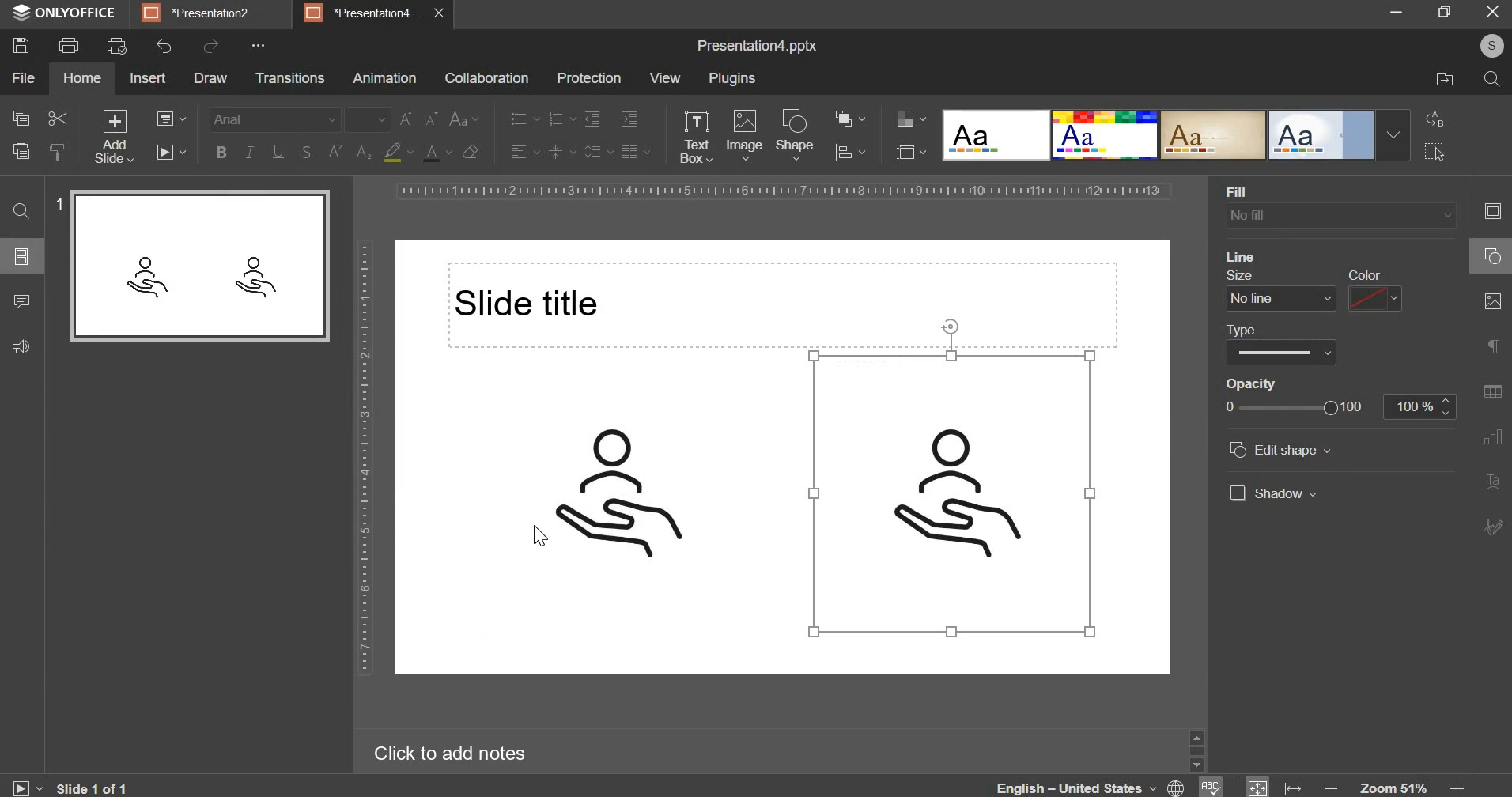 The height and width of the screenshot is (797, 1512). What do you see at coordinates (1393, 135) in the screenshot?
I see `Drop-down ` at bounding box center [1393, 135].